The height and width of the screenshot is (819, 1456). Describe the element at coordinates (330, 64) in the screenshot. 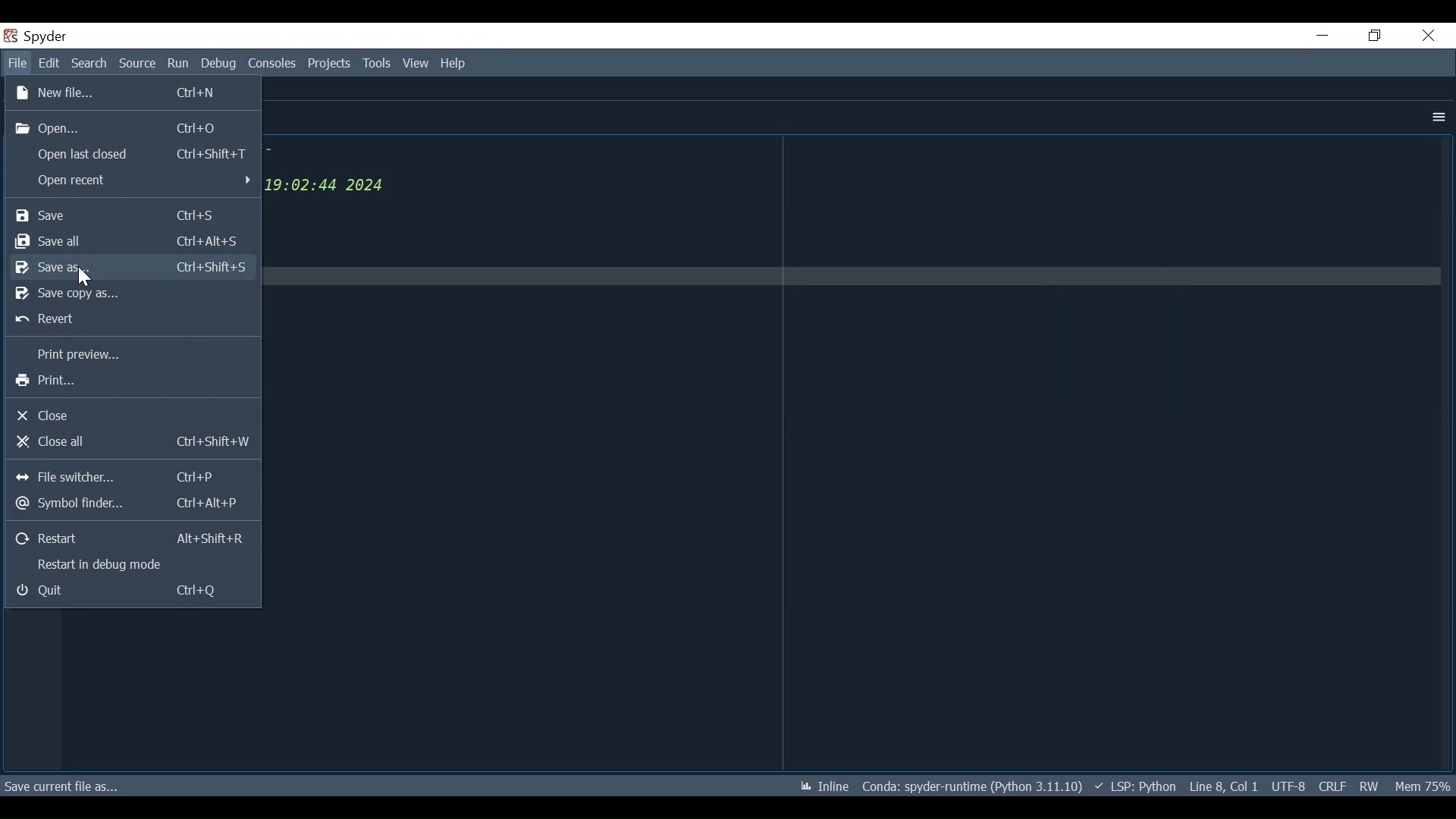

I see `Projects` at that location.